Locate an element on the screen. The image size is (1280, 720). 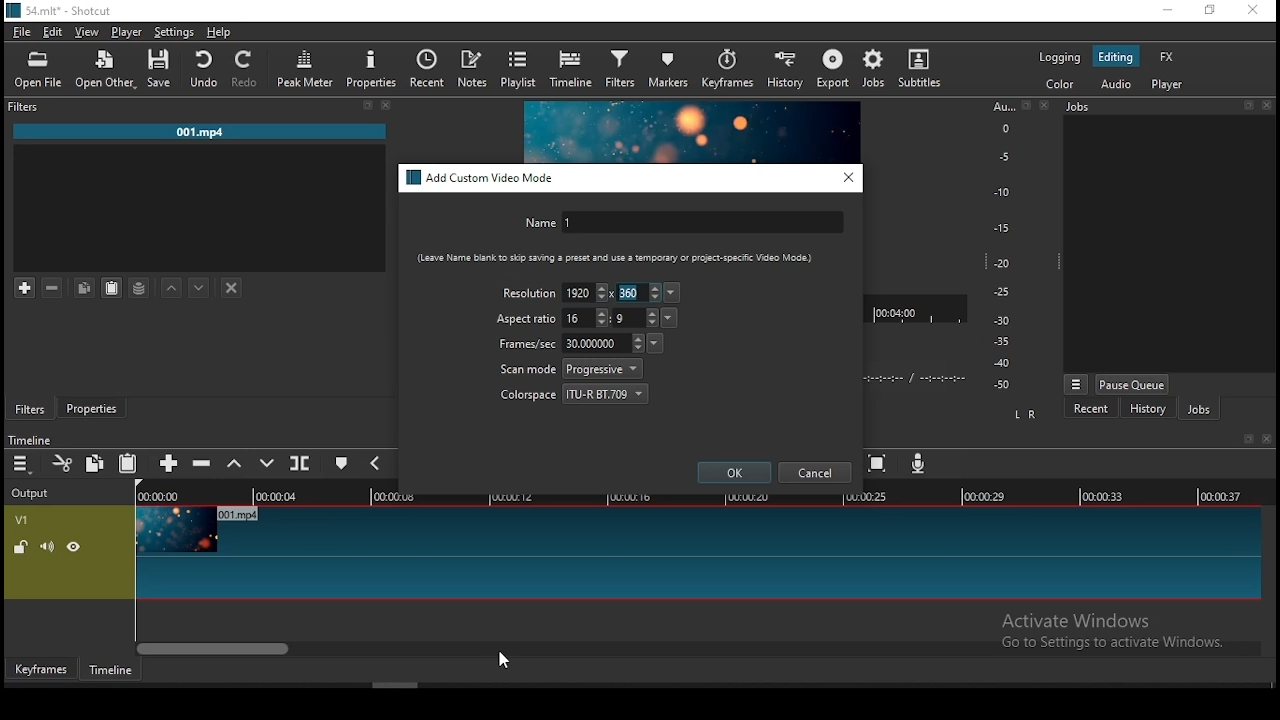
mouse pointer is located at coordinates (500, 660).